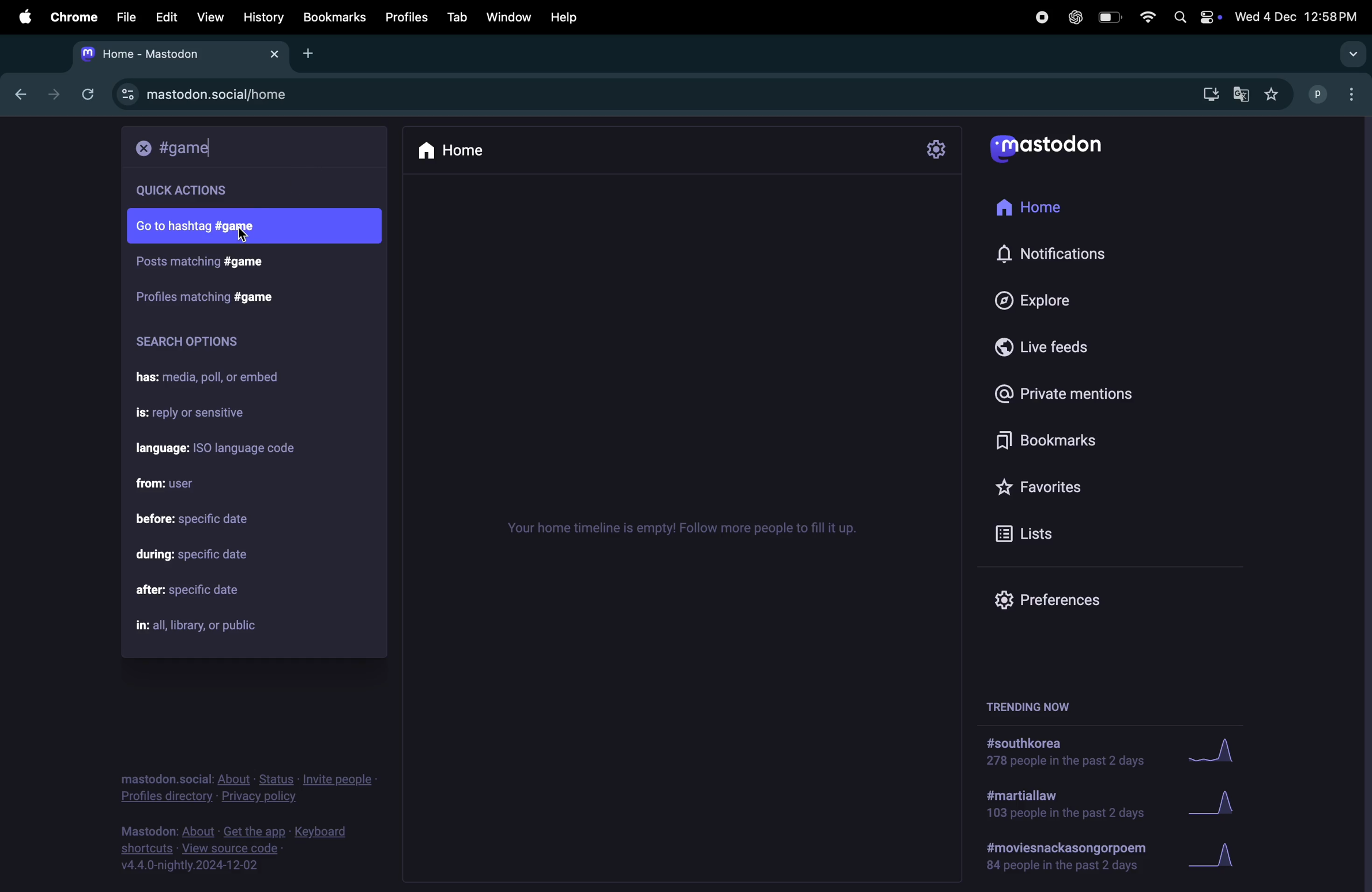  I want to click on Favourites, so click(1048, 487).